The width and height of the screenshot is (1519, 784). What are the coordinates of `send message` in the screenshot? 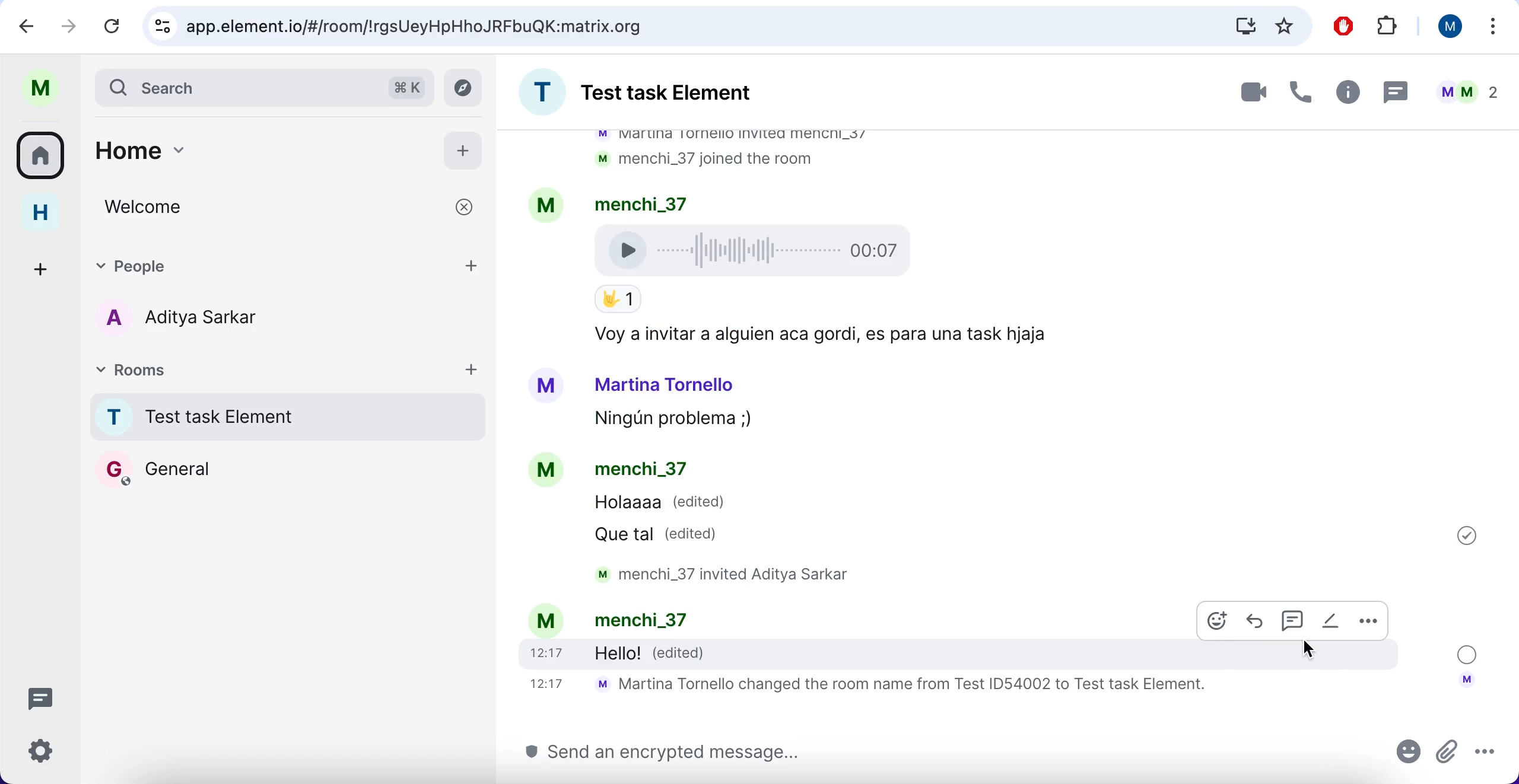 It's located at (946, 757).